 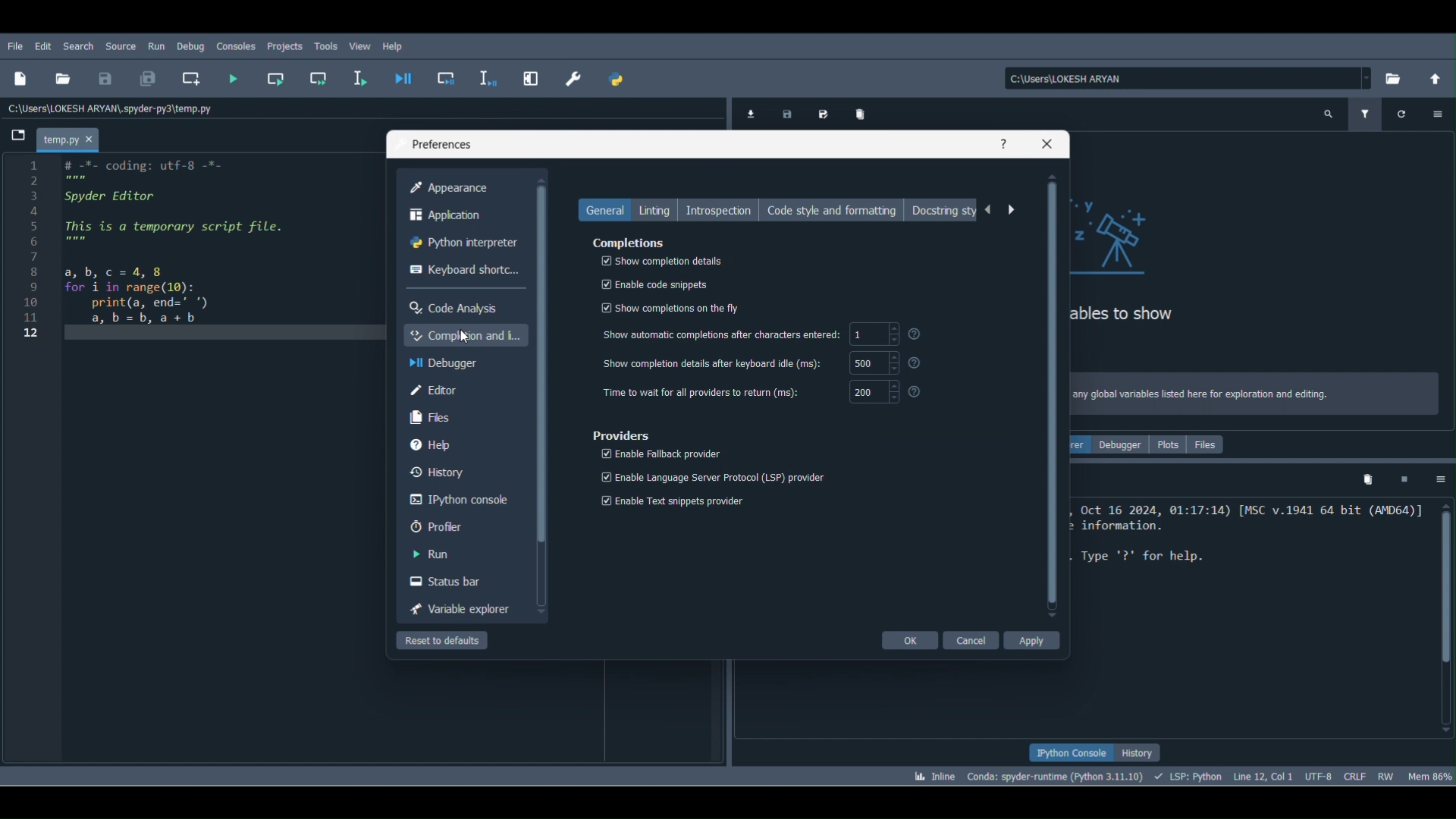 I want to click on Debug file ( Ctrl + F5), so click(x=409, y=78).